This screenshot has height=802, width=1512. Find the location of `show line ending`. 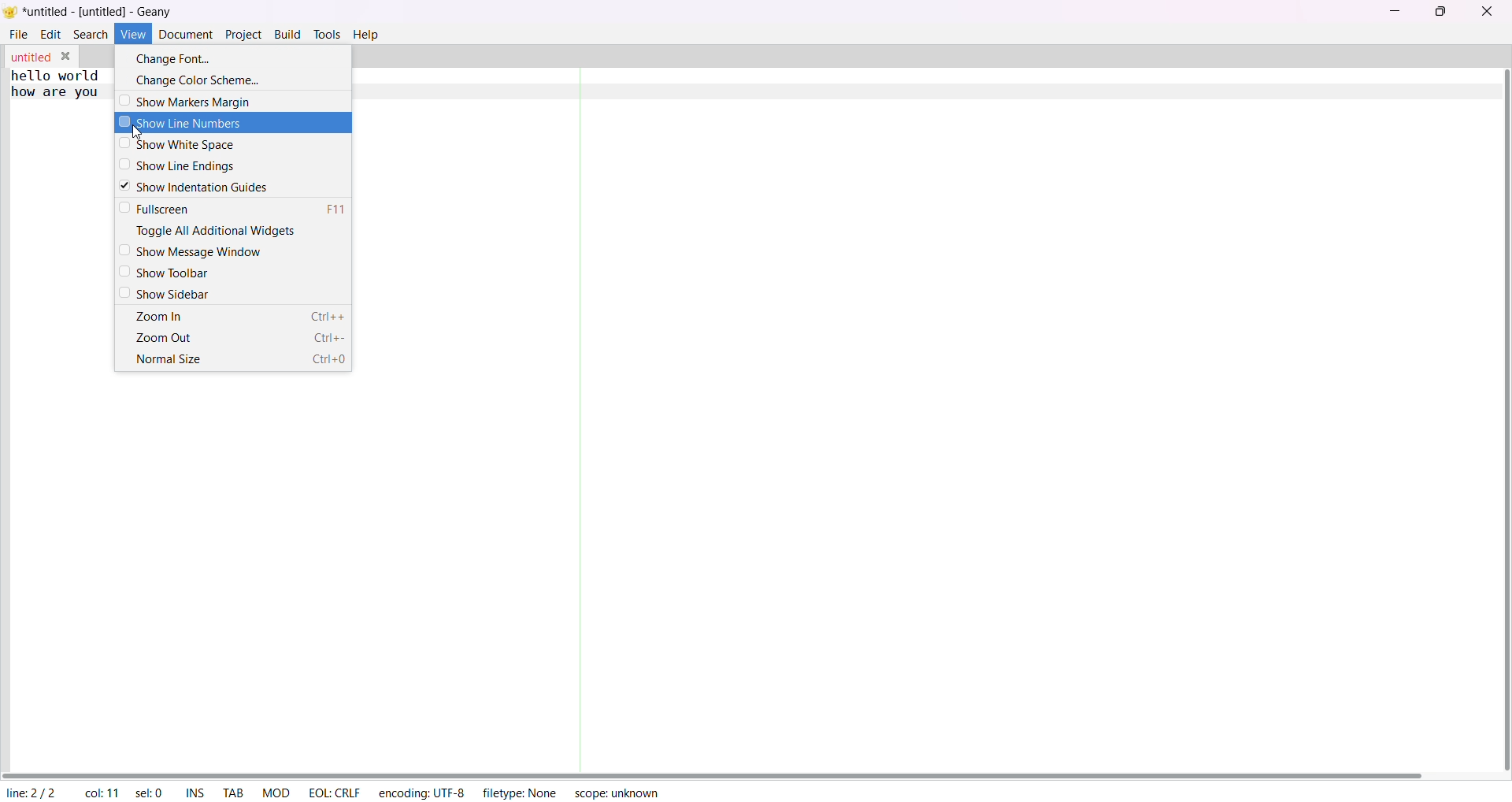

show line ending is located at coordinates (180, 167).